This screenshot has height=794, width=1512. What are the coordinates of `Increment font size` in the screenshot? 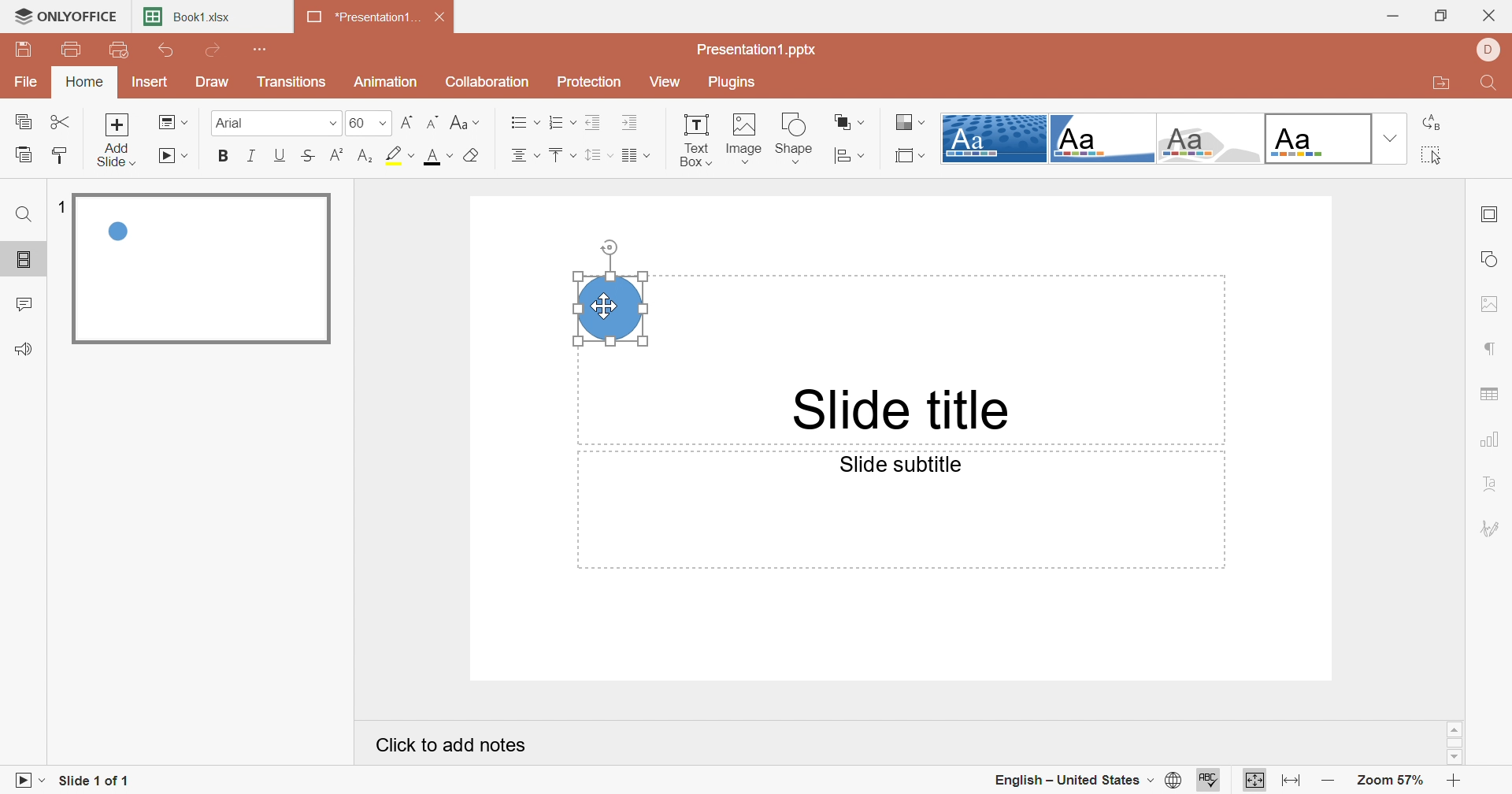 It's located at (407, 121).